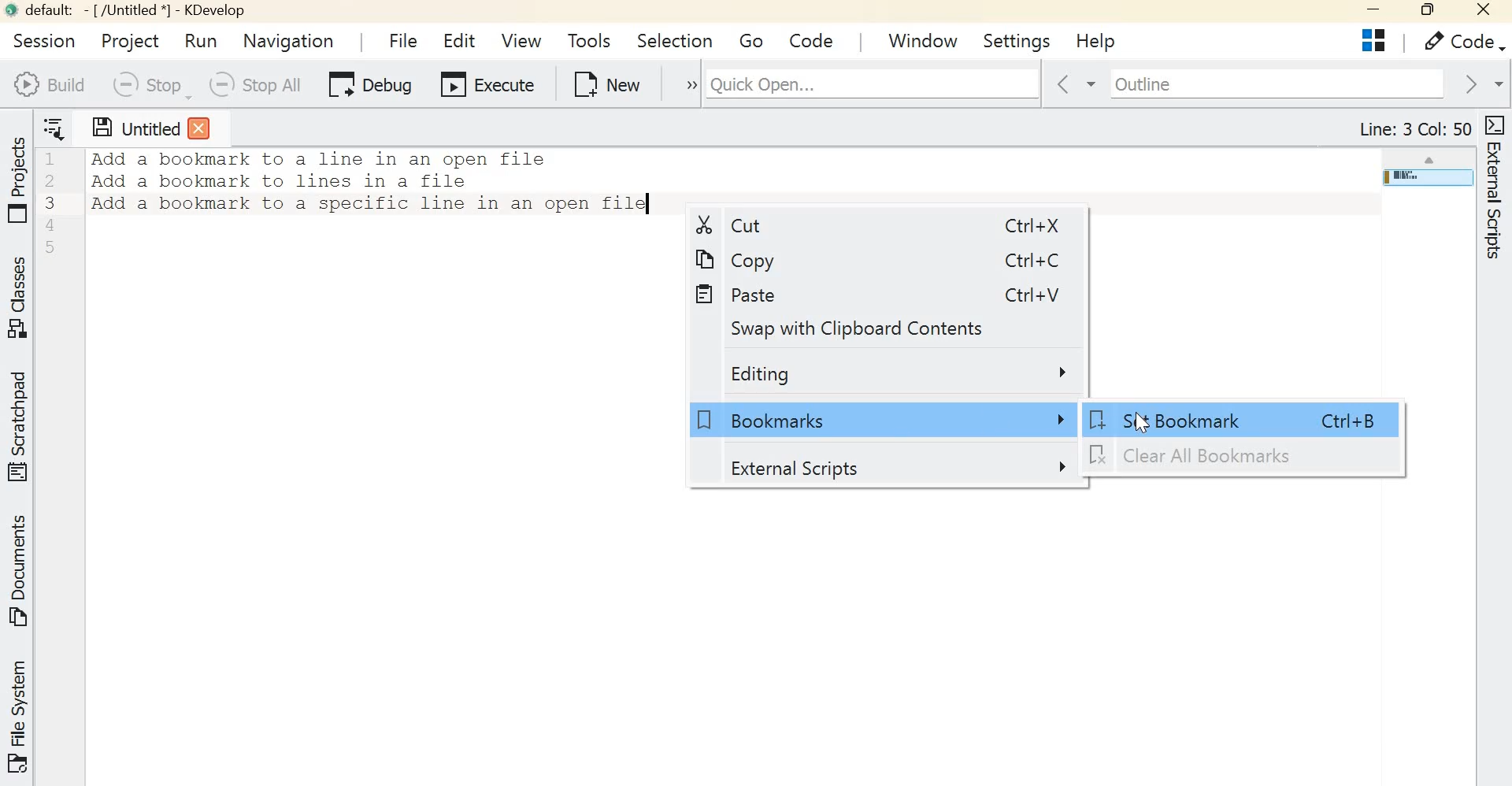 This screenshot has height=786, width=1512. I want to click on Maximize, so click(1431, 11).